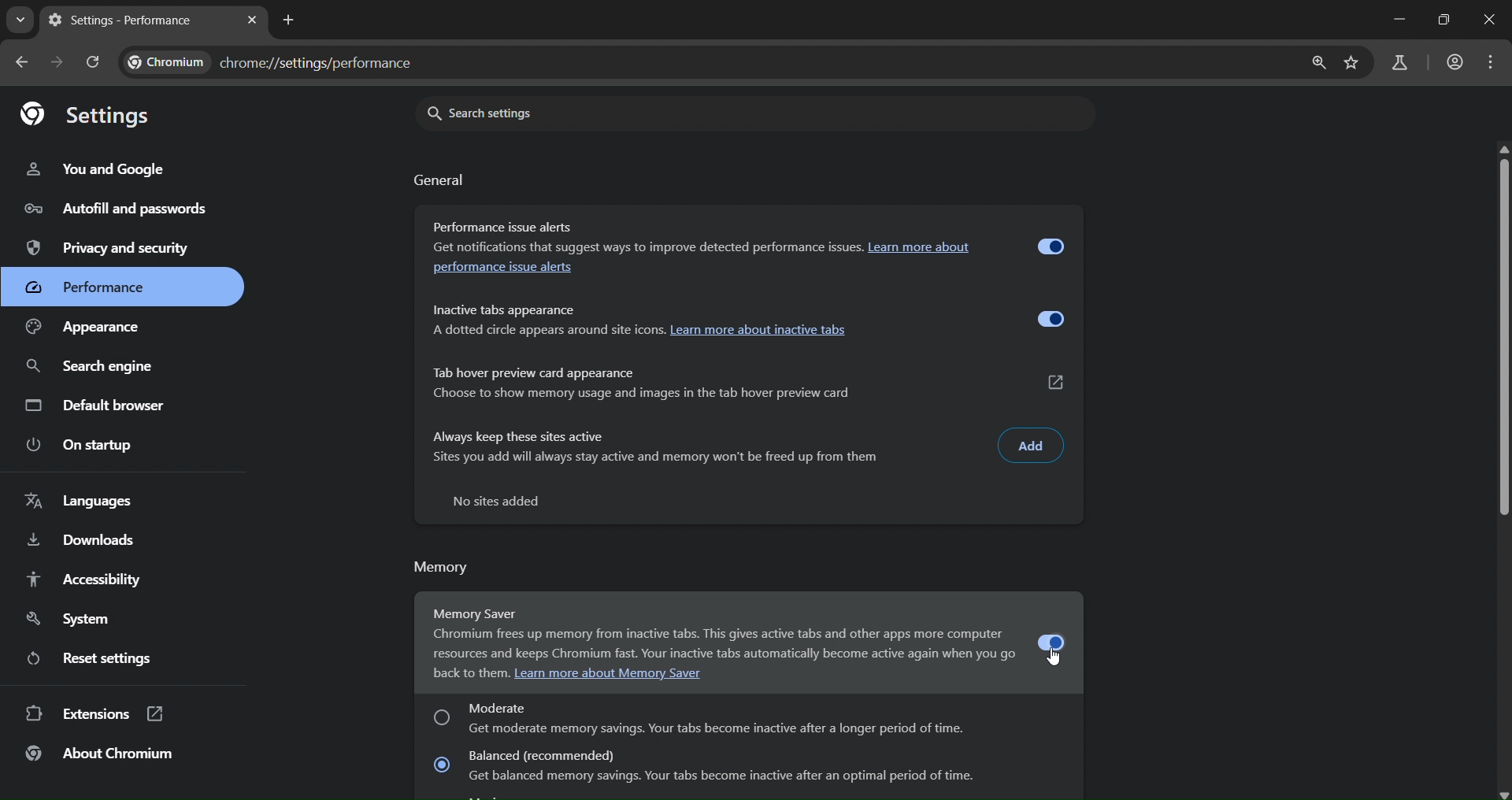 The image size is (1512, 800). Describe the element at coordinates (465, 674) in the screenshot. I see `back to them.` at that location.